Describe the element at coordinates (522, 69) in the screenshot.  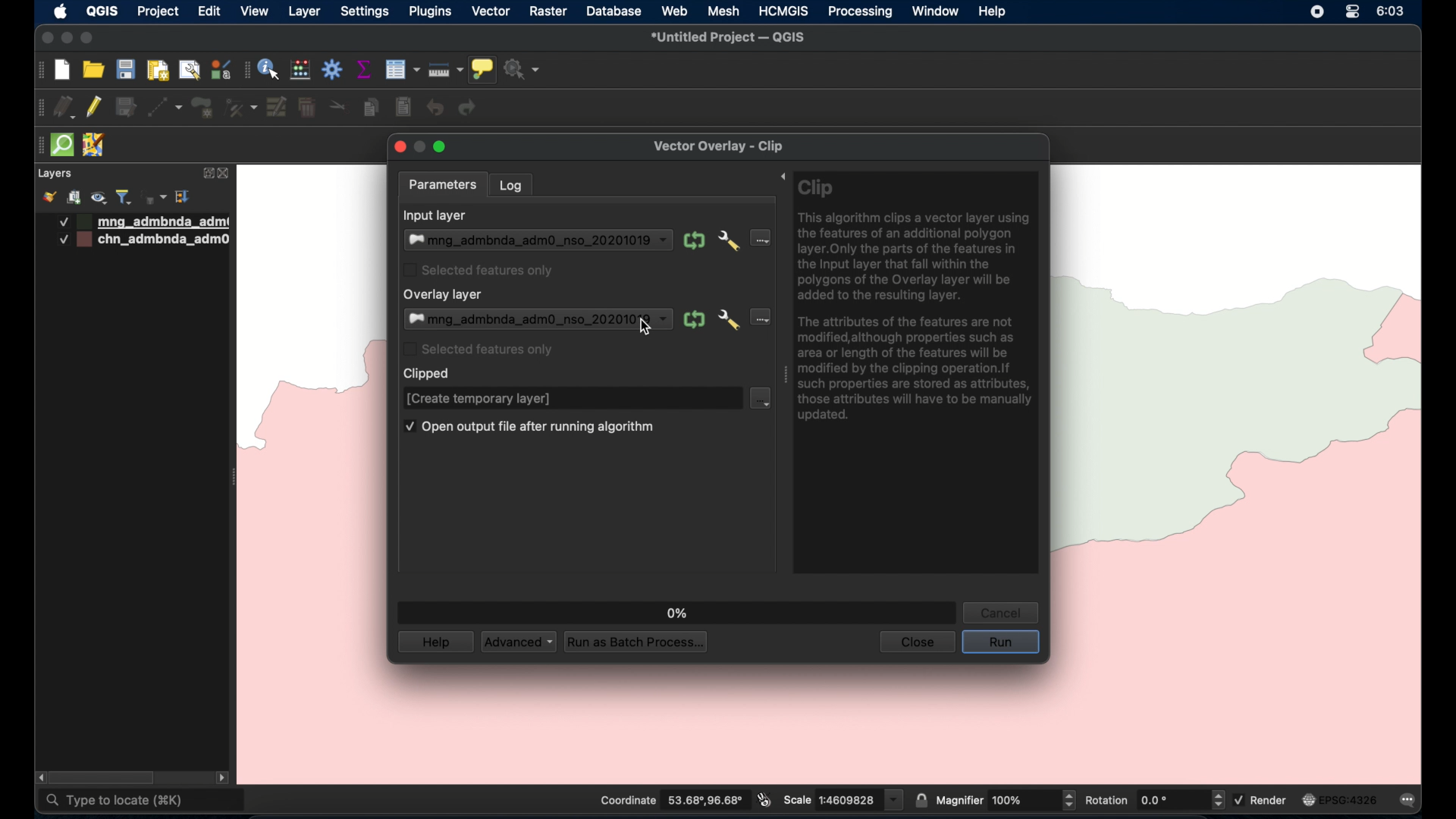
I see `no action selected` at that location.